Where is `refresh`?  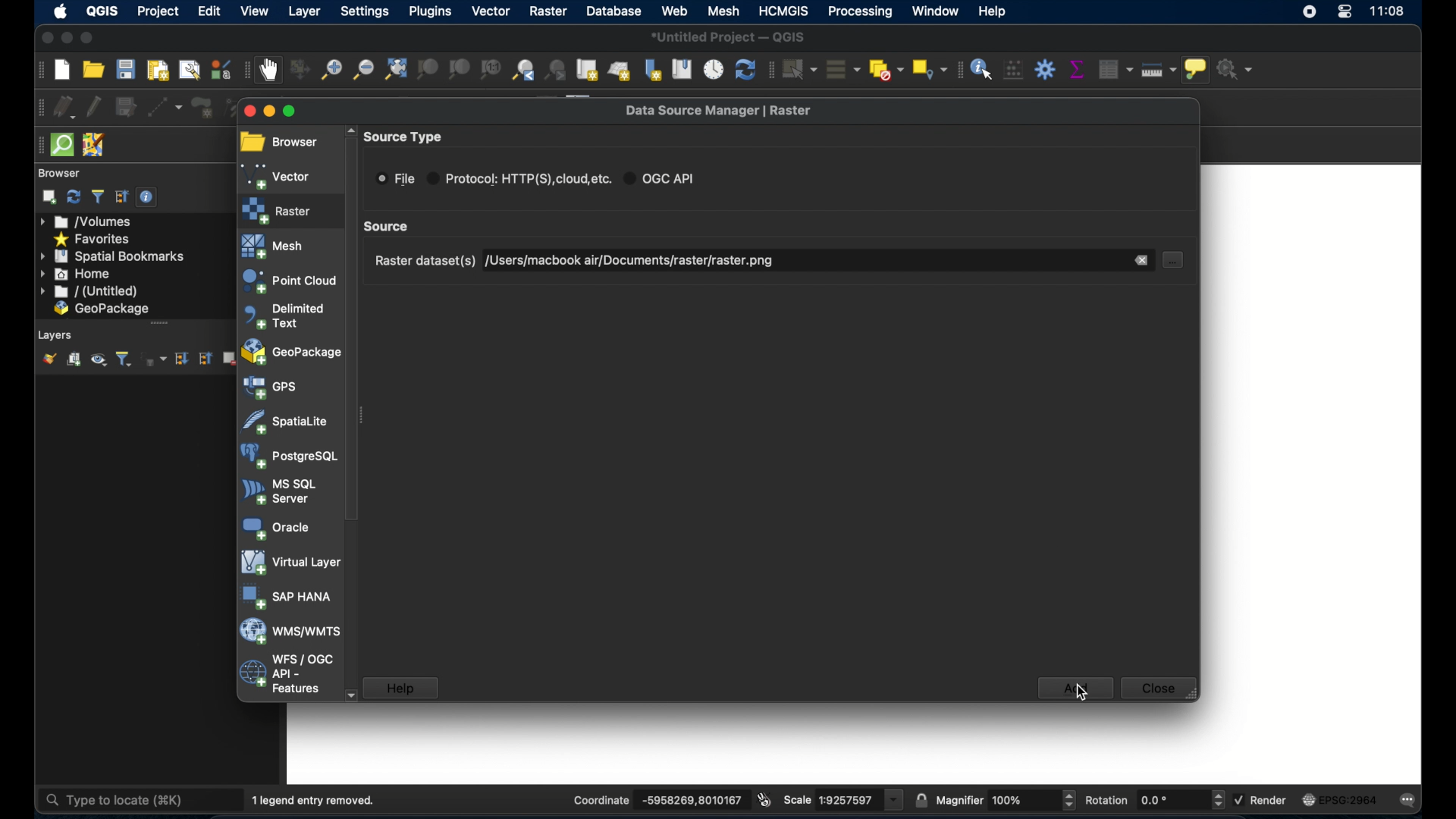 refresh is located at coordinates (745, 71).